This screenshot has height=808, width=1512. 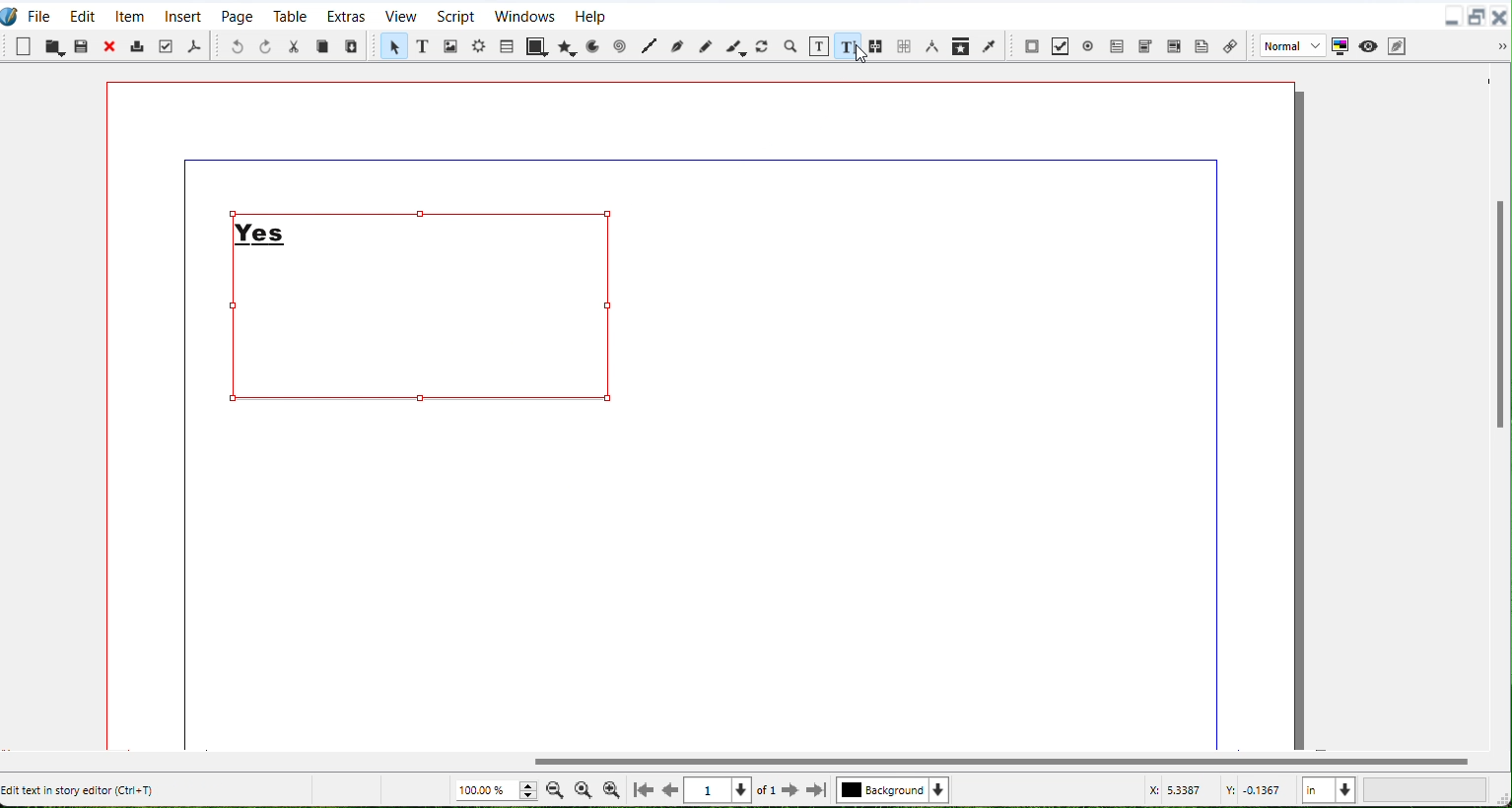 I want to click on Link Text Frame, so click(x=877, y=44).